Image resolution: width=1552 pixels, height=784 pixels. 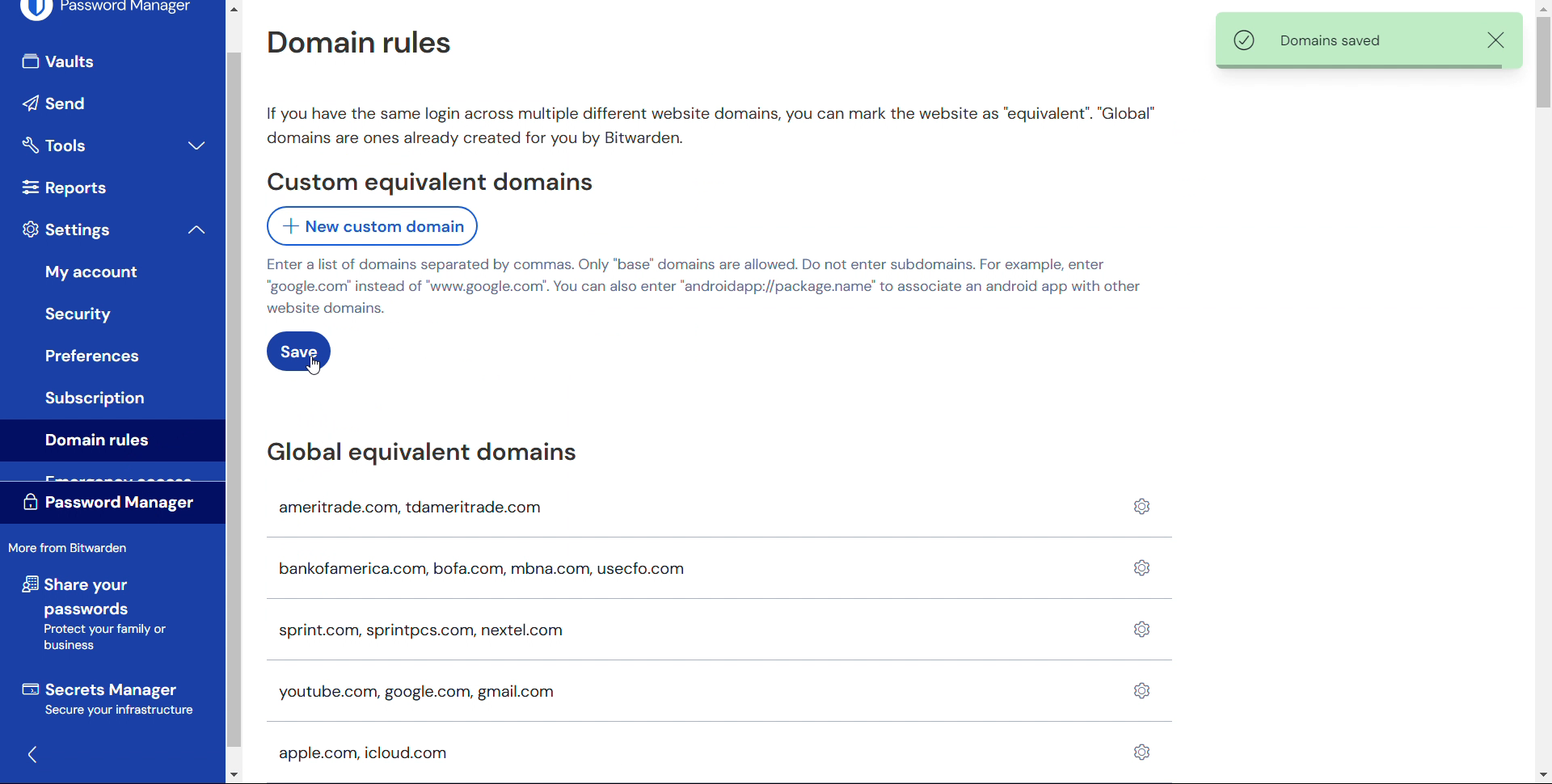 What do you see at coordinates (110, 440) in the screenshot?
I see `Domain rules ` at bounding box center [110, 440].